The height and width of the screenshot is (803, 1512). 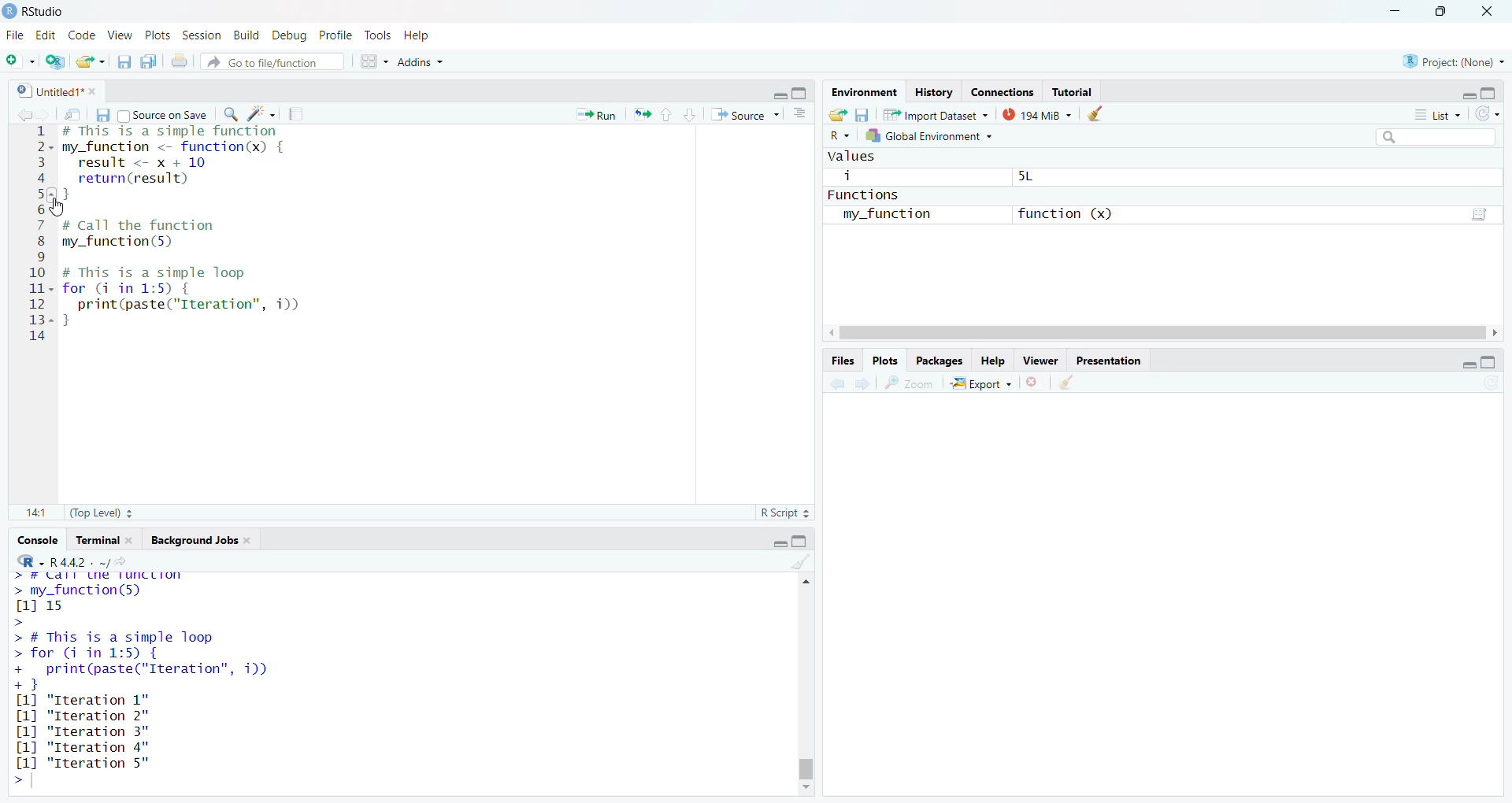 I want to click on session, so click(x=200, y=33).